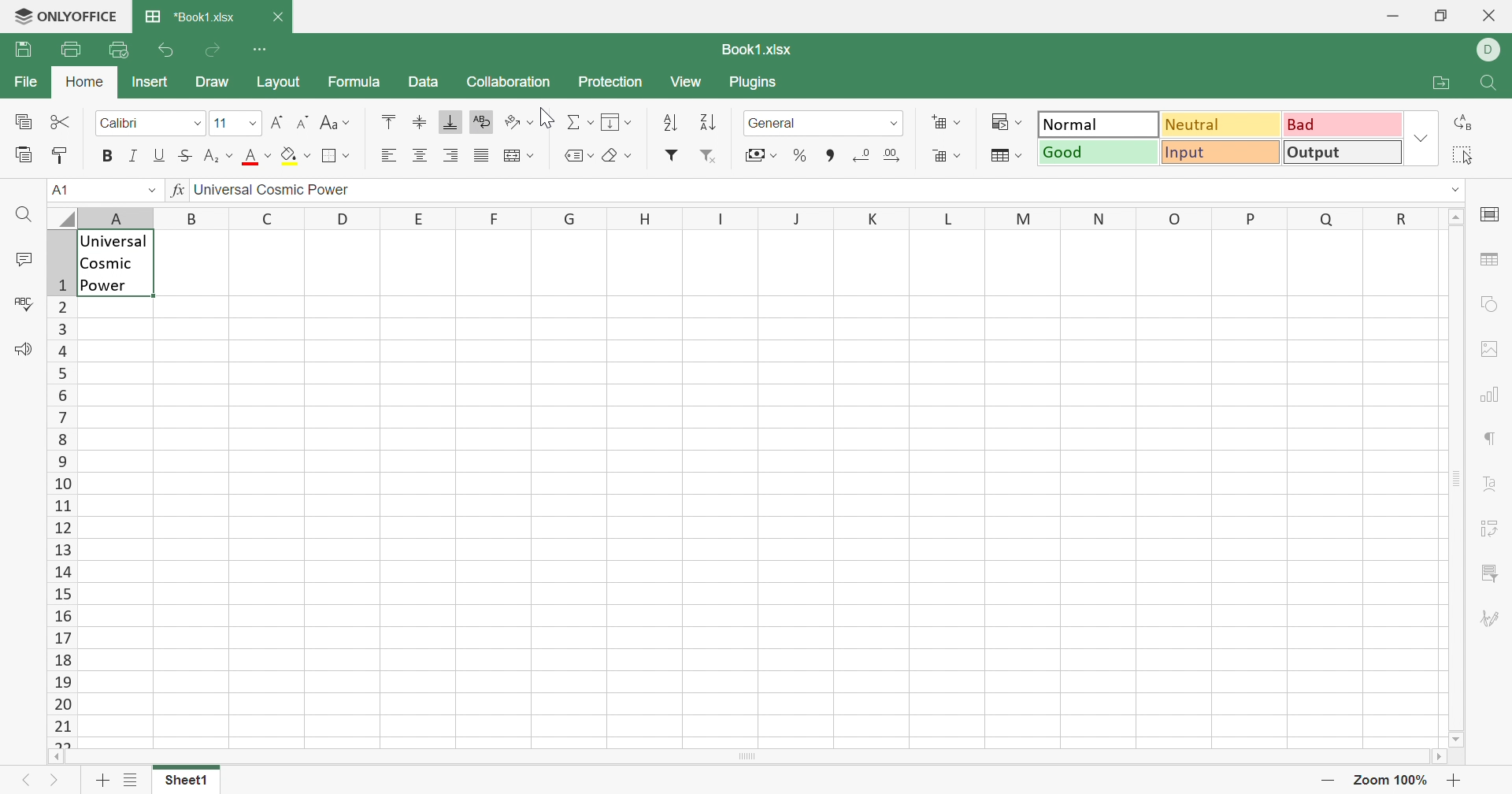 Image resolution: width=1512 pixels, height=794 pixels. I want to click on shape settings, so click(1492, 305).